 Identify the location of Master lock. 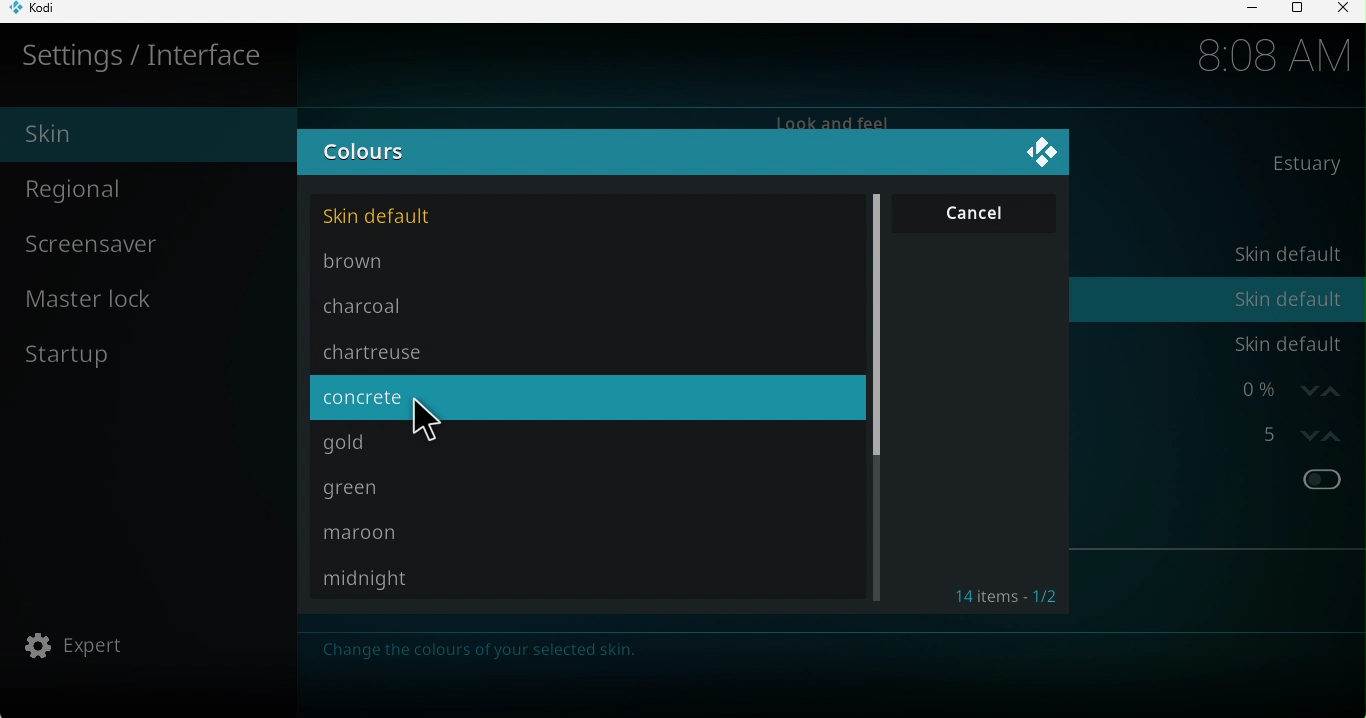
(102, 298).